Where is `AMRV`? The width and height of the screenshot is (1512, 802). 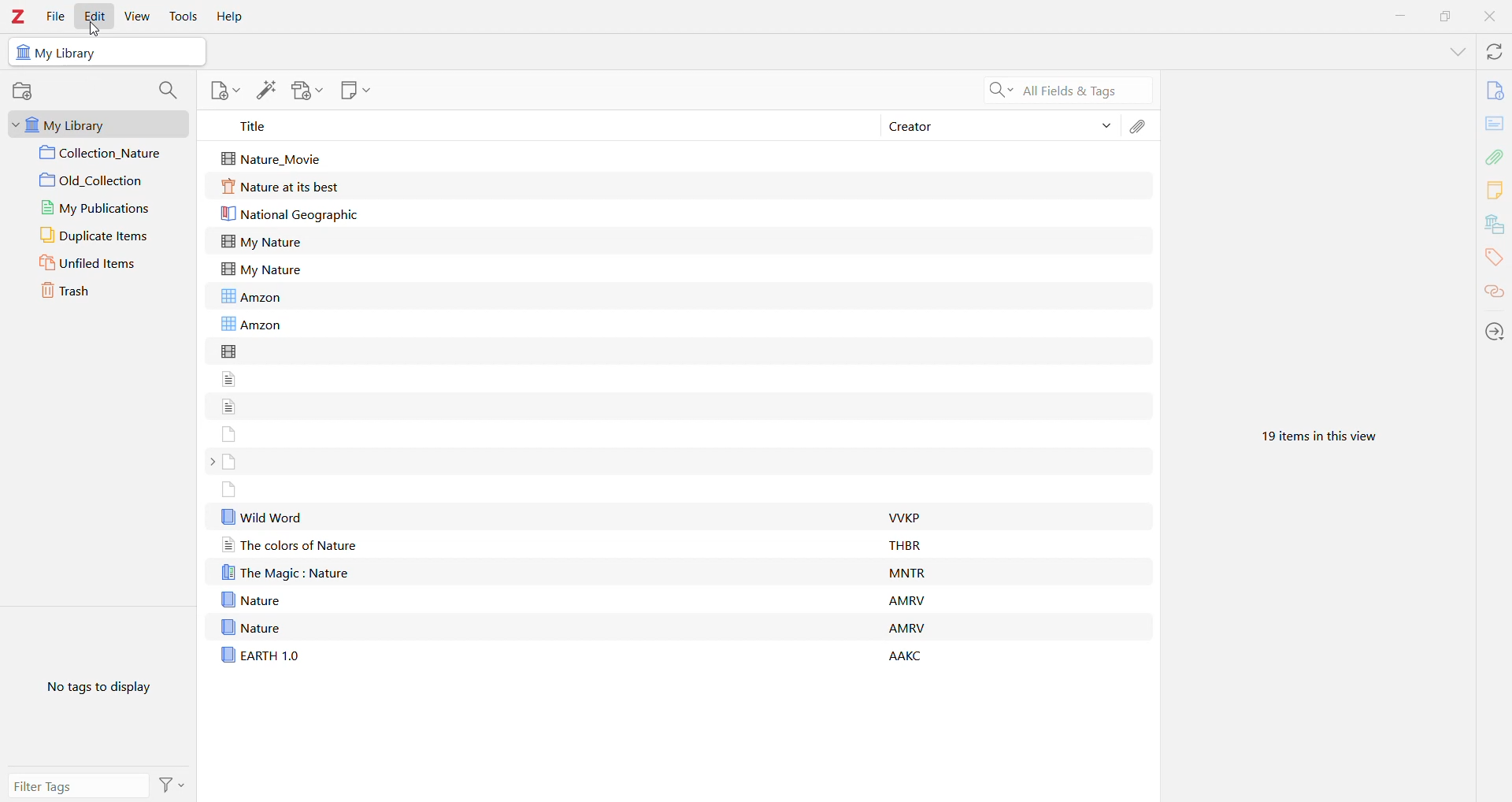 AMRV is located at coordinates (907, 627).